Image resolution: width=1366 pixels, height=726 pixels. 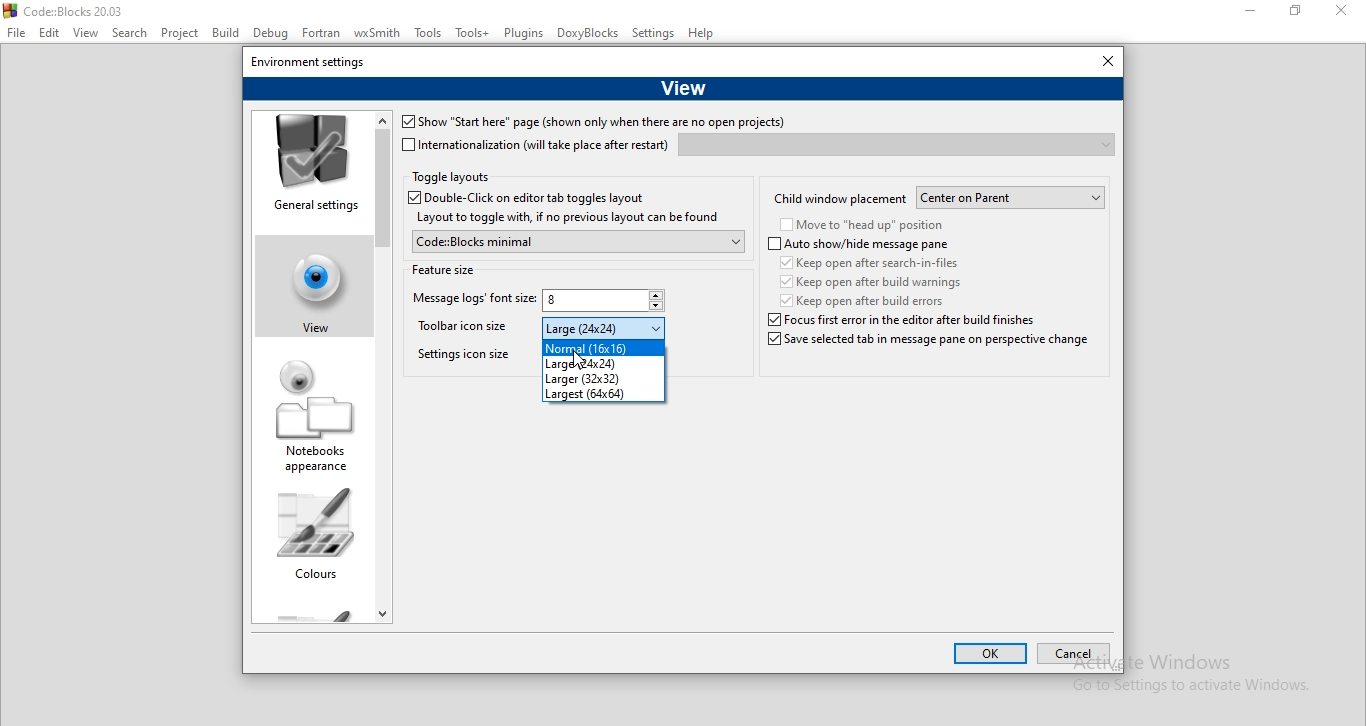 What do you see at coordinates (926, 346) in the screenshot?
I see `Save selected tab in message pane on perspective change` at bounding box center [926, 346].